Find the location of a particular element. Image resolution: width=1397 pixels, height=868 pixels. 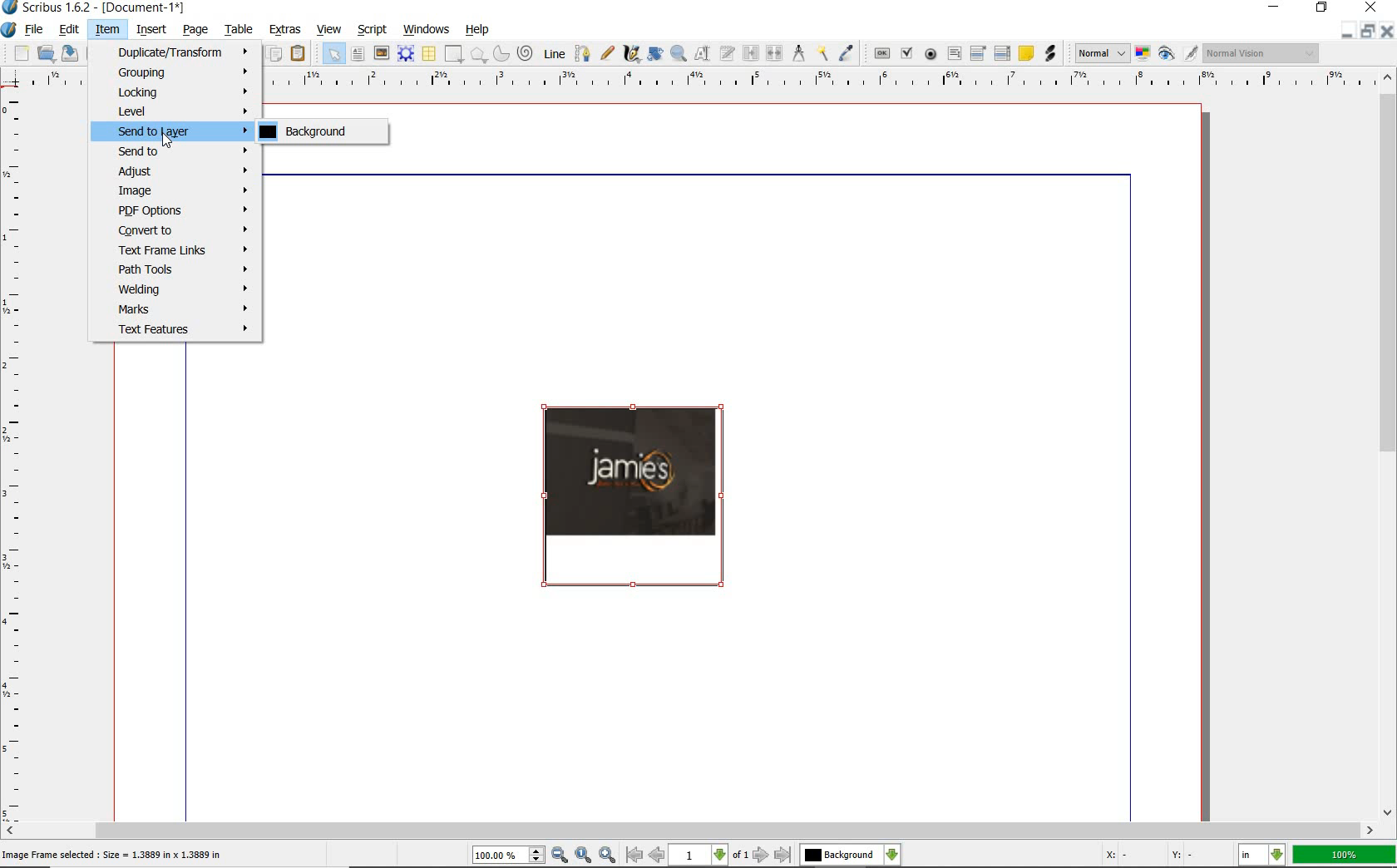

close is located at coordinates (1374, 7).